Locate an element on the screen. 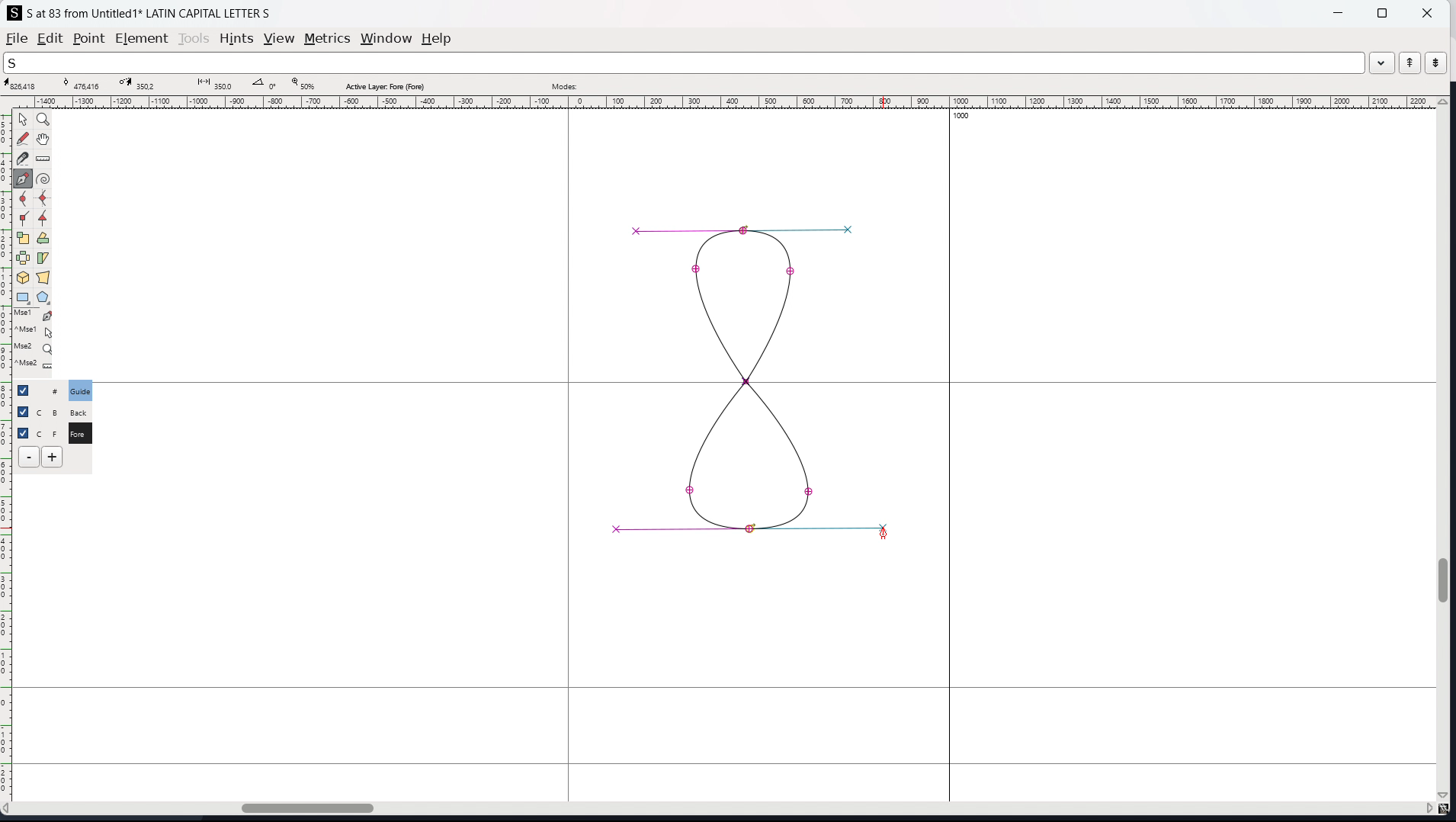 This screenshot has height=822, width=1456. help is located at coordinates (437, 39).